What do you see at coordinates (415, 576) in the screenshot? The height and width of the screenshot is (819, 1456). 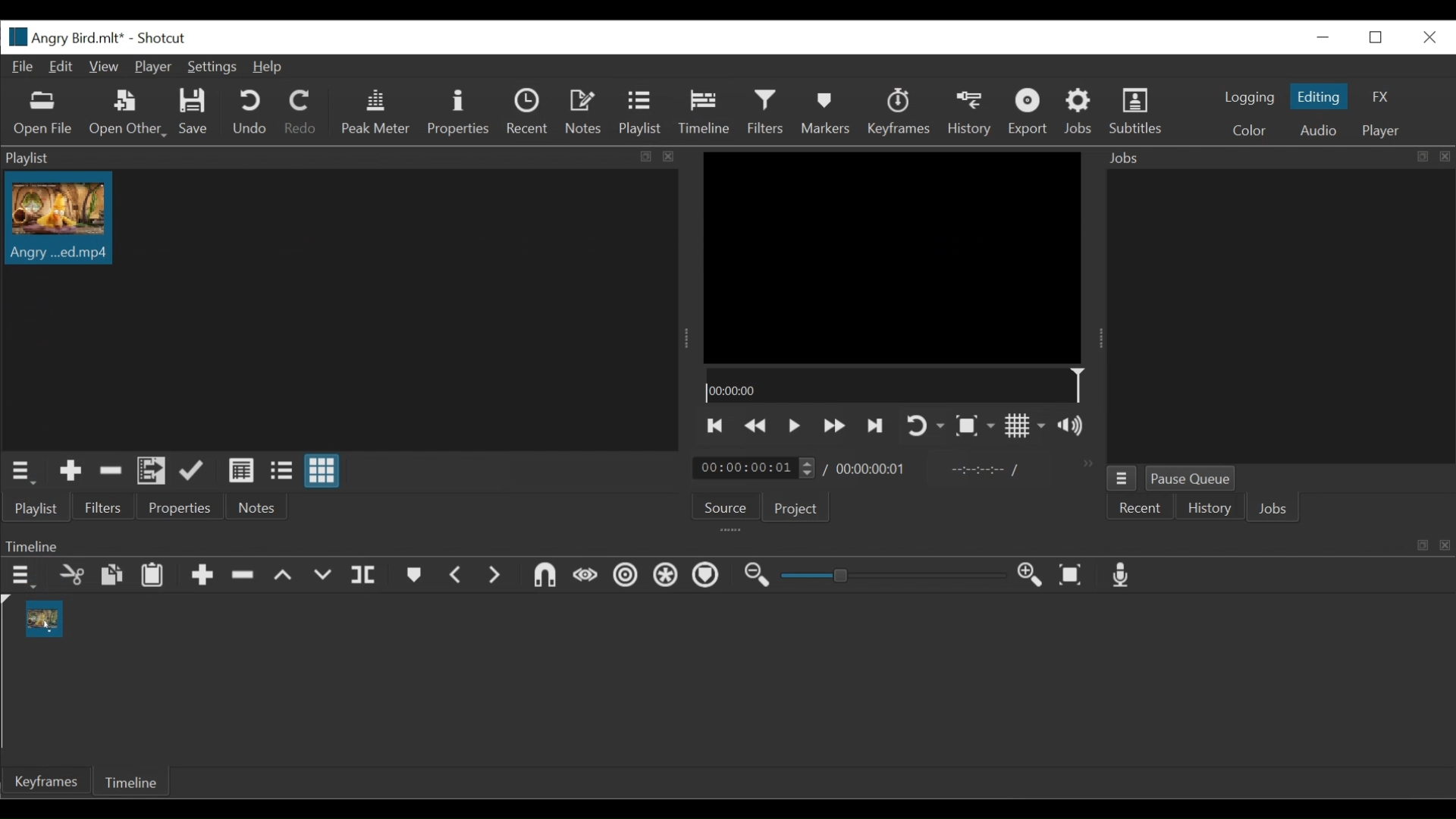 I see `Markers` at bounding box center [415, 576].